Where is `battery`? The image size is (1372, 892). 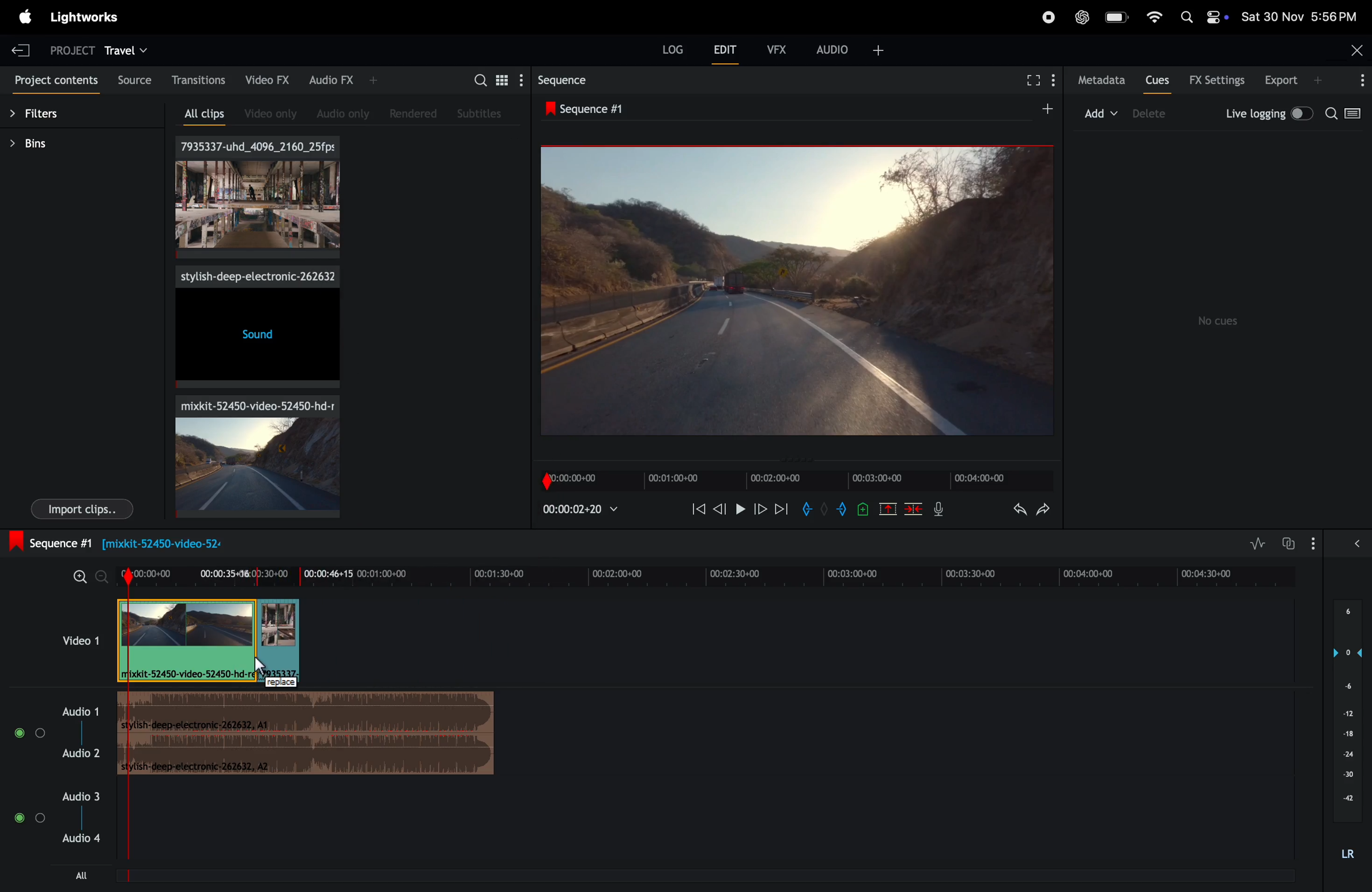 battery is located at coordinates (1118, 18).